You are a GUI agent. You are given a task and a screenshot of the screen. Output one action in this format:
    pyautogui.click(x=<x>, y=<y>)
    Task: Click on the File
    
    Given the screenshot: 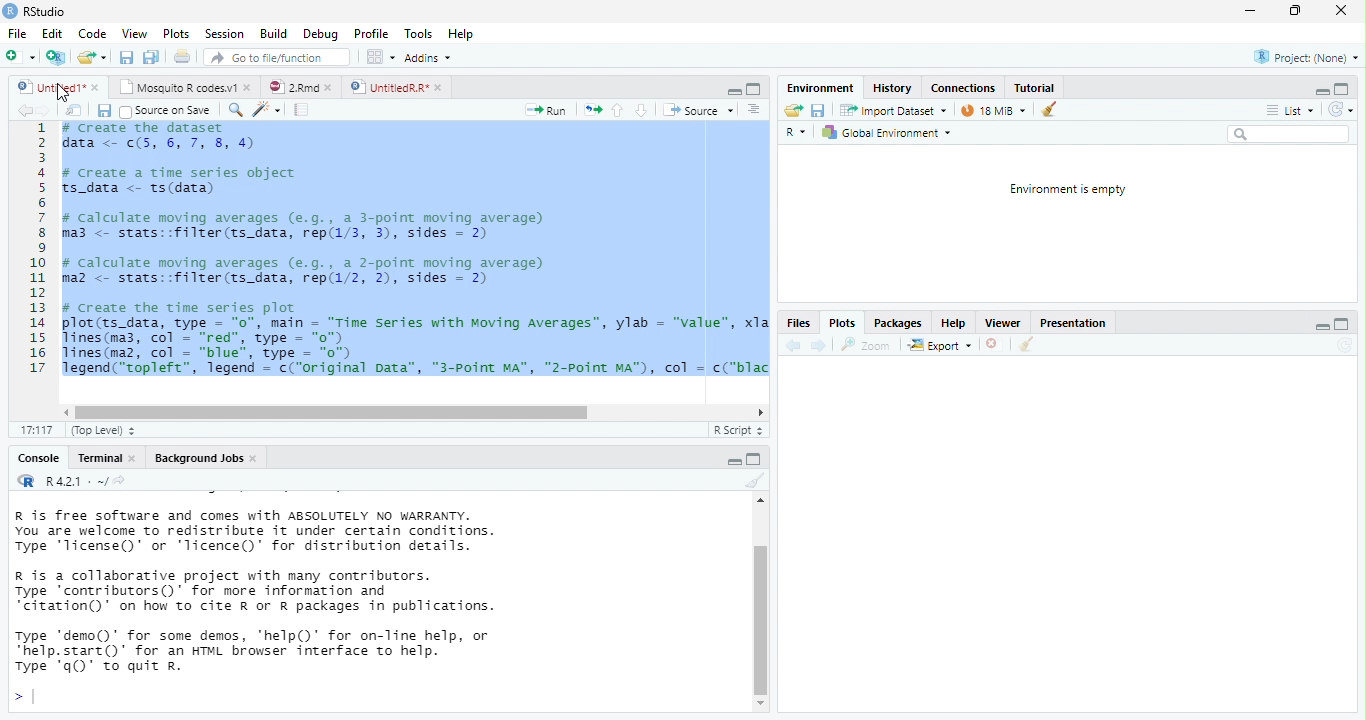 What is the action you would take?
    pyautogui.click(x=16, y=34)
    